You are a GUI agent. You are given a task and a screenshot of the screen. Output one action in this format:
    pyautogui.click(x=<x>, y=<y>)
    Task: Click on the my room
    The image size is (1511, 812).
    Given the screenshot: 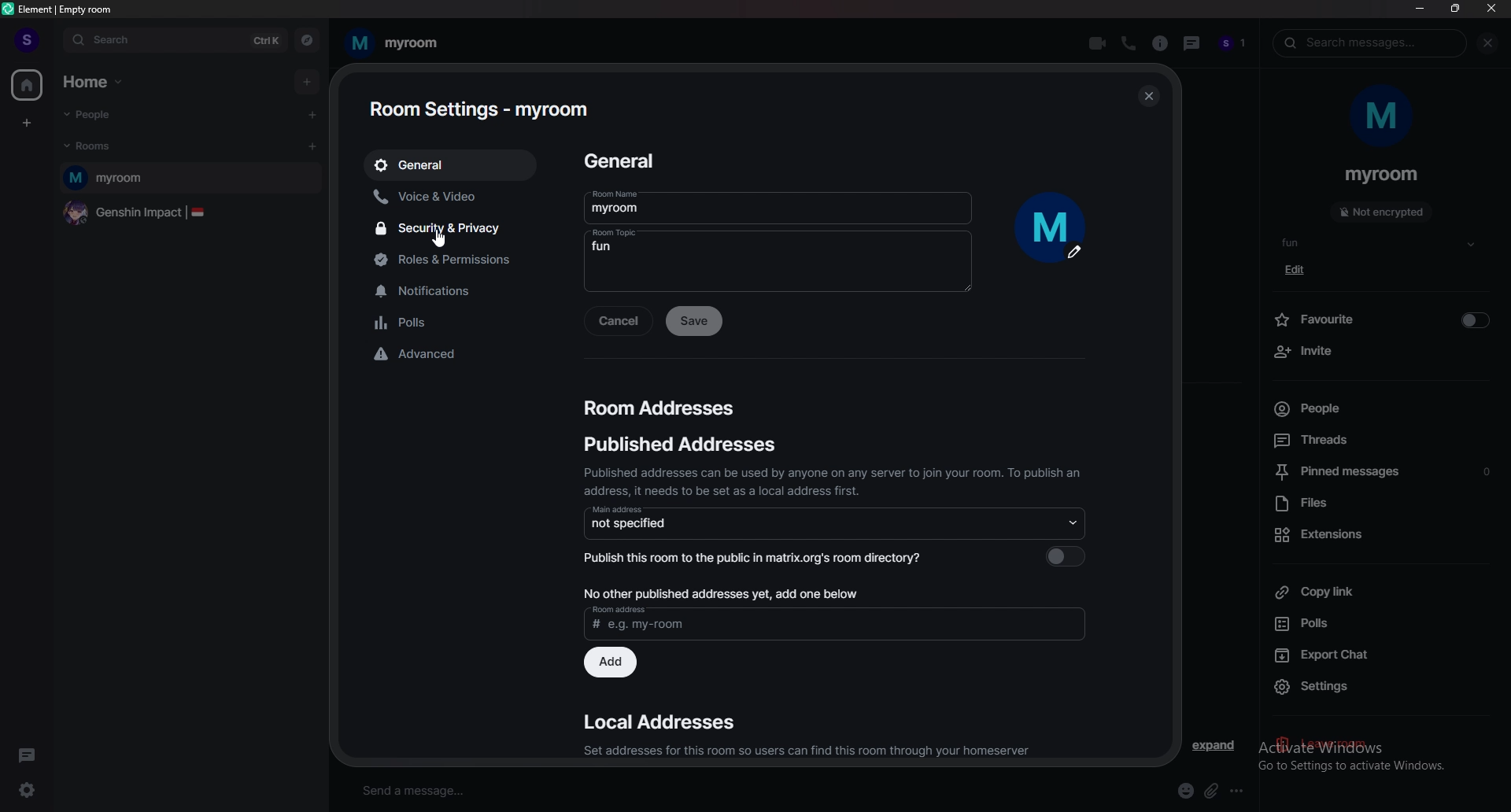 What is the action you would take?
    pyautogui.click(x=403, y=42)
    